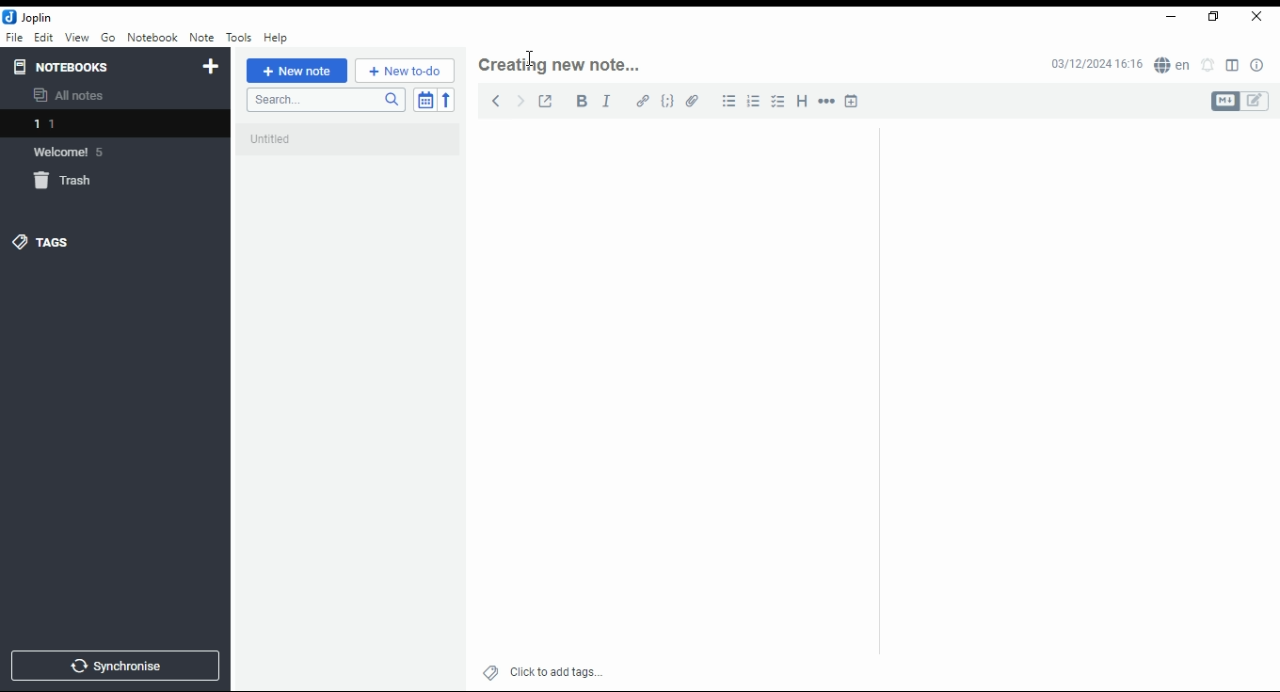 The height and width of the screenshot is (692, 1280). Describe the element at coordinates (776, 103) in the screenshot. I see `checkbox` at that location.